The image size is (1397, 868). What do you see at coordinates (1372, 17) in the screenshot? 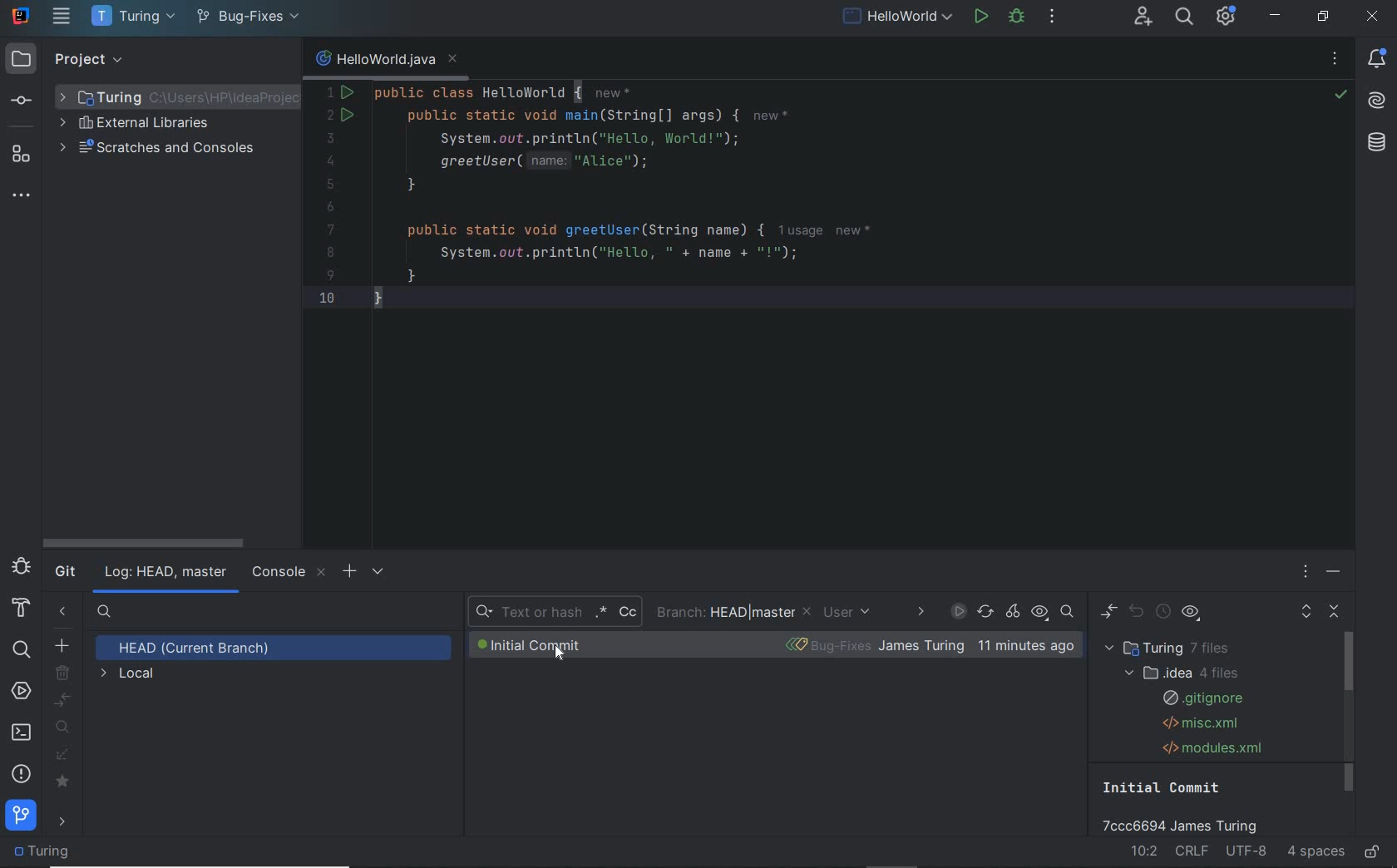
I see `close` at bounding box center [1372, 17].